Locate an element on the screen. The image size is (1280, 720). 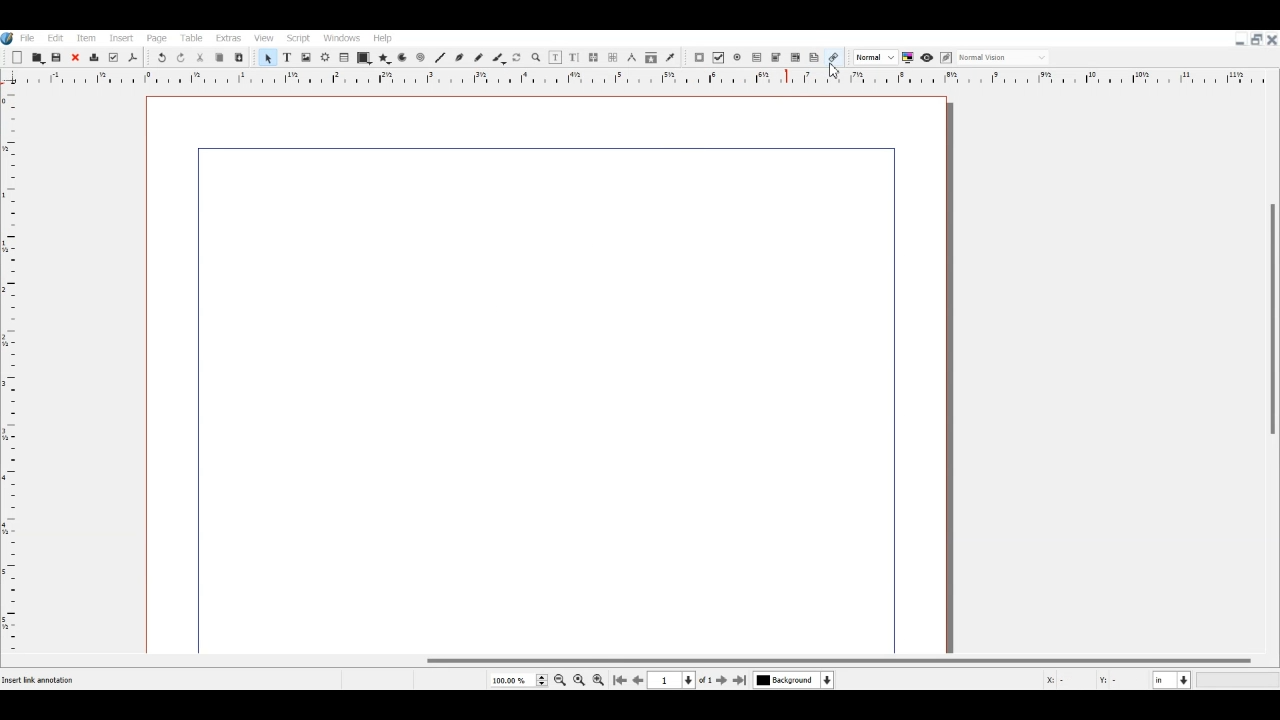
Select the visual appearance on display is located at coordinates (1004, 56).